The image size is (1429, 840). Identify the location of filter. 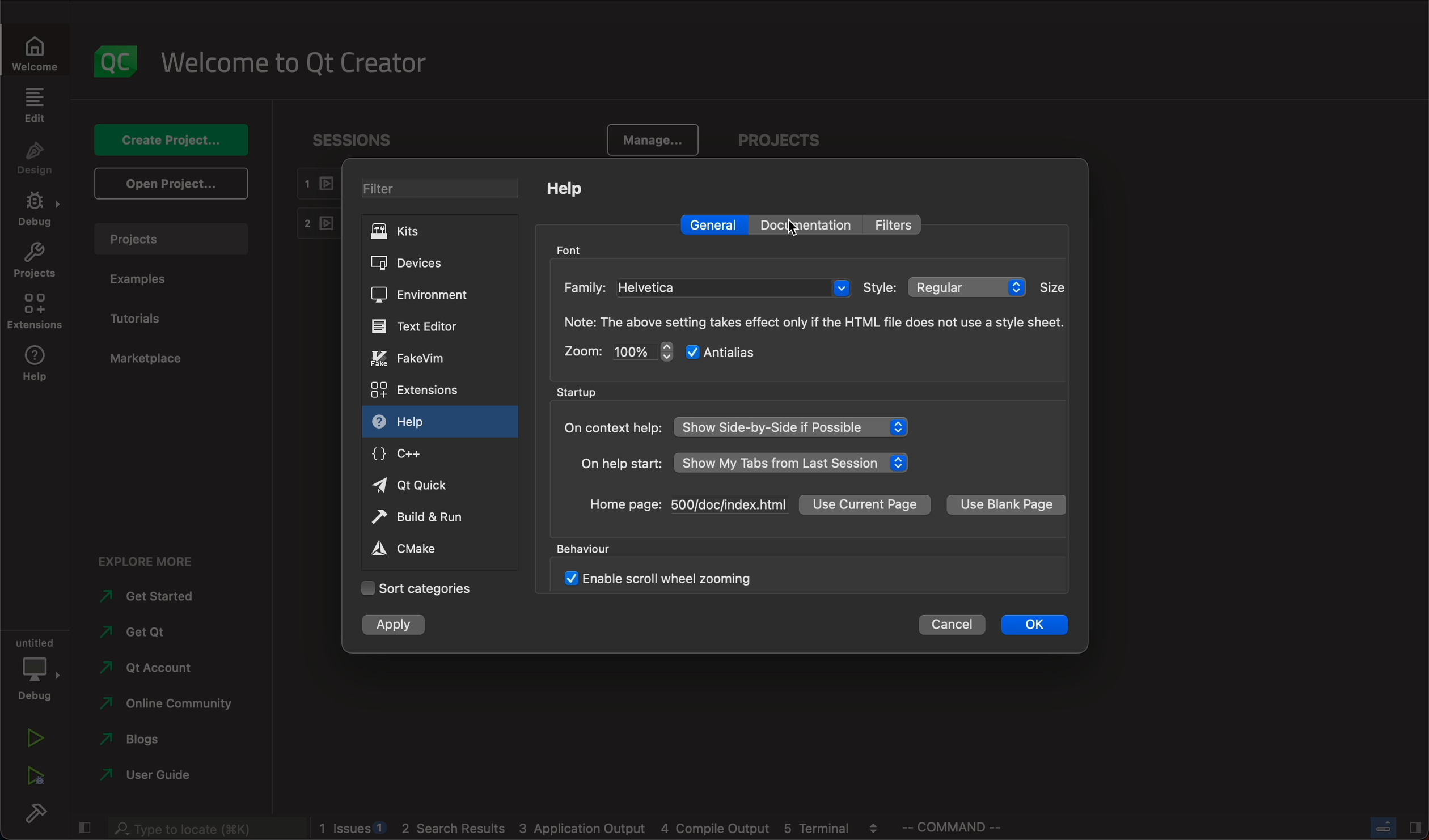
(902, 223).